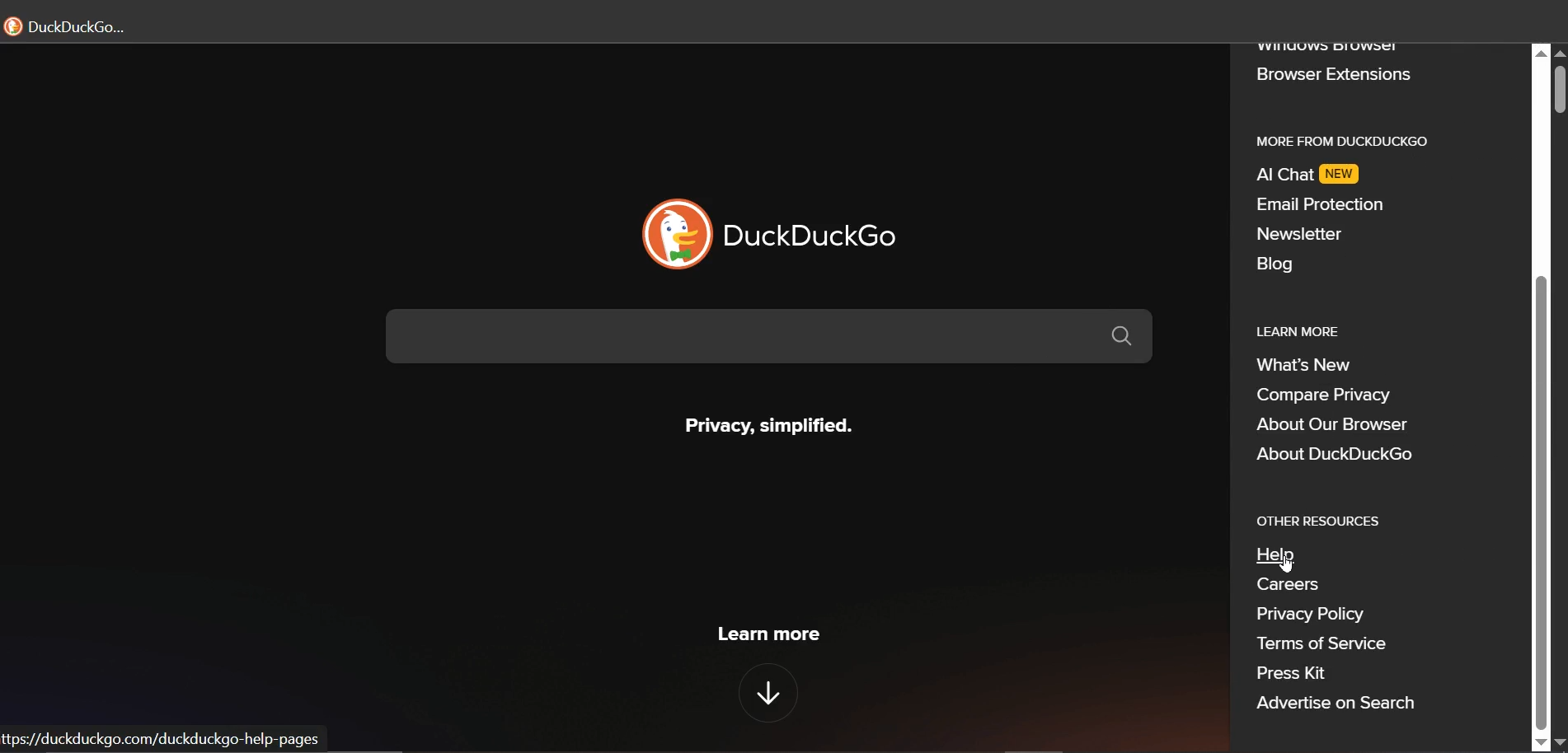  I want to click on ns://duckduckgo.com/duckduckgo-help-pages, so click(159, 741).